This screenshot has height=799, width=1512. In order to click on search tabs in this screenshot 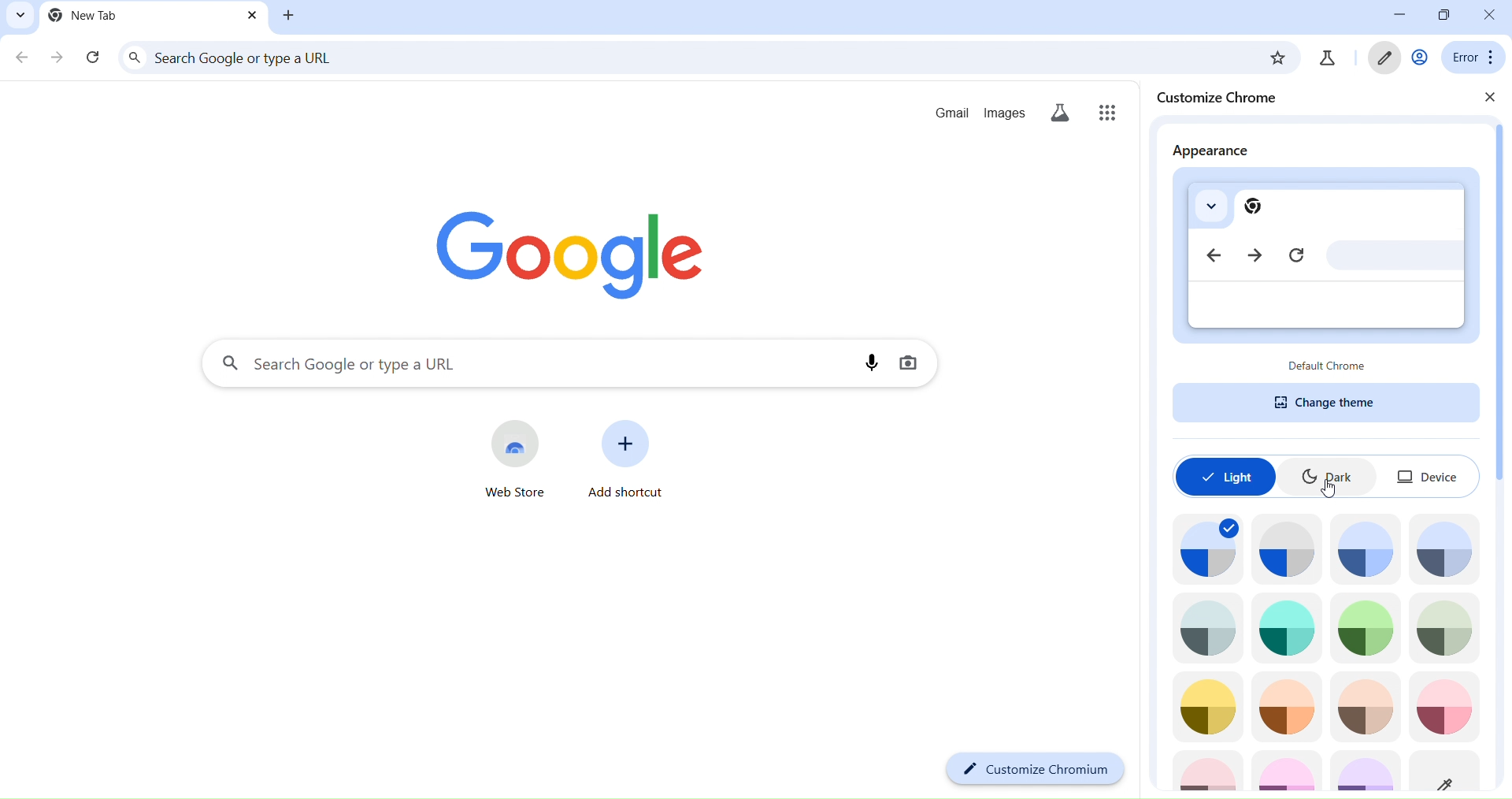, I will do `click(20, 17)`.